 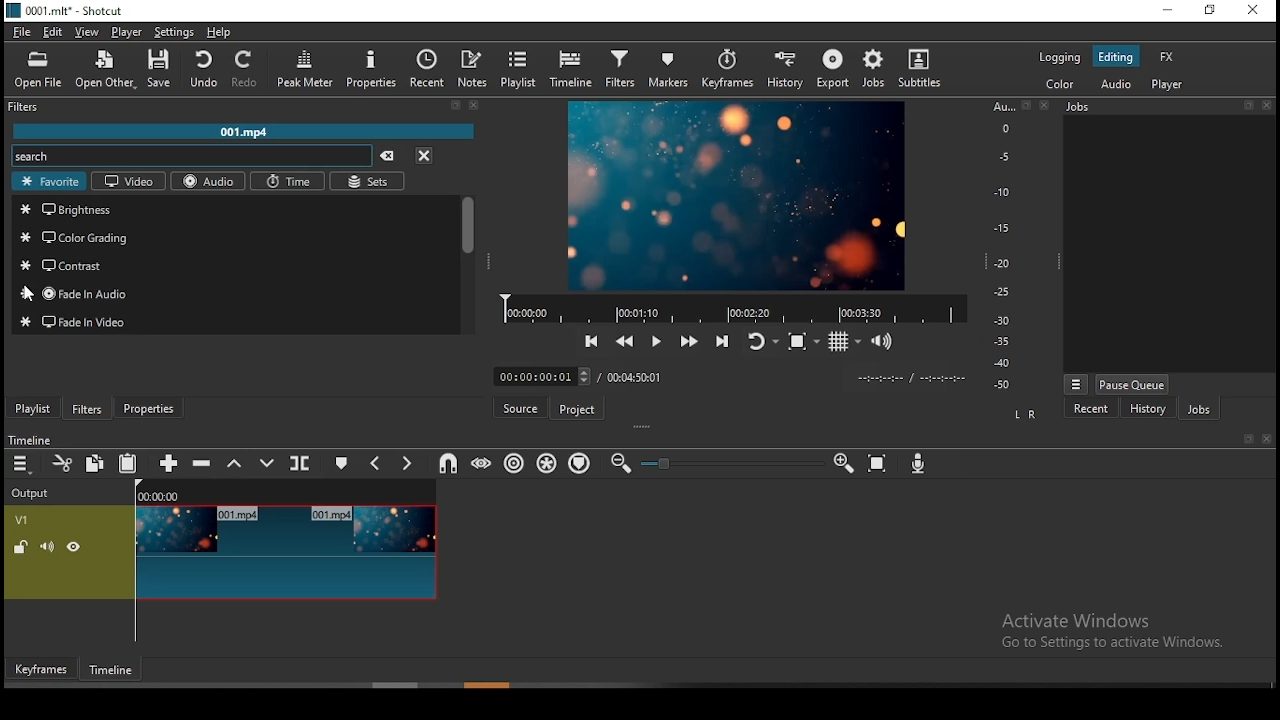 What do you see at coordinates (469, 262) in the screenshot?
I see `scroll bar` at bounding box center [469, 262].